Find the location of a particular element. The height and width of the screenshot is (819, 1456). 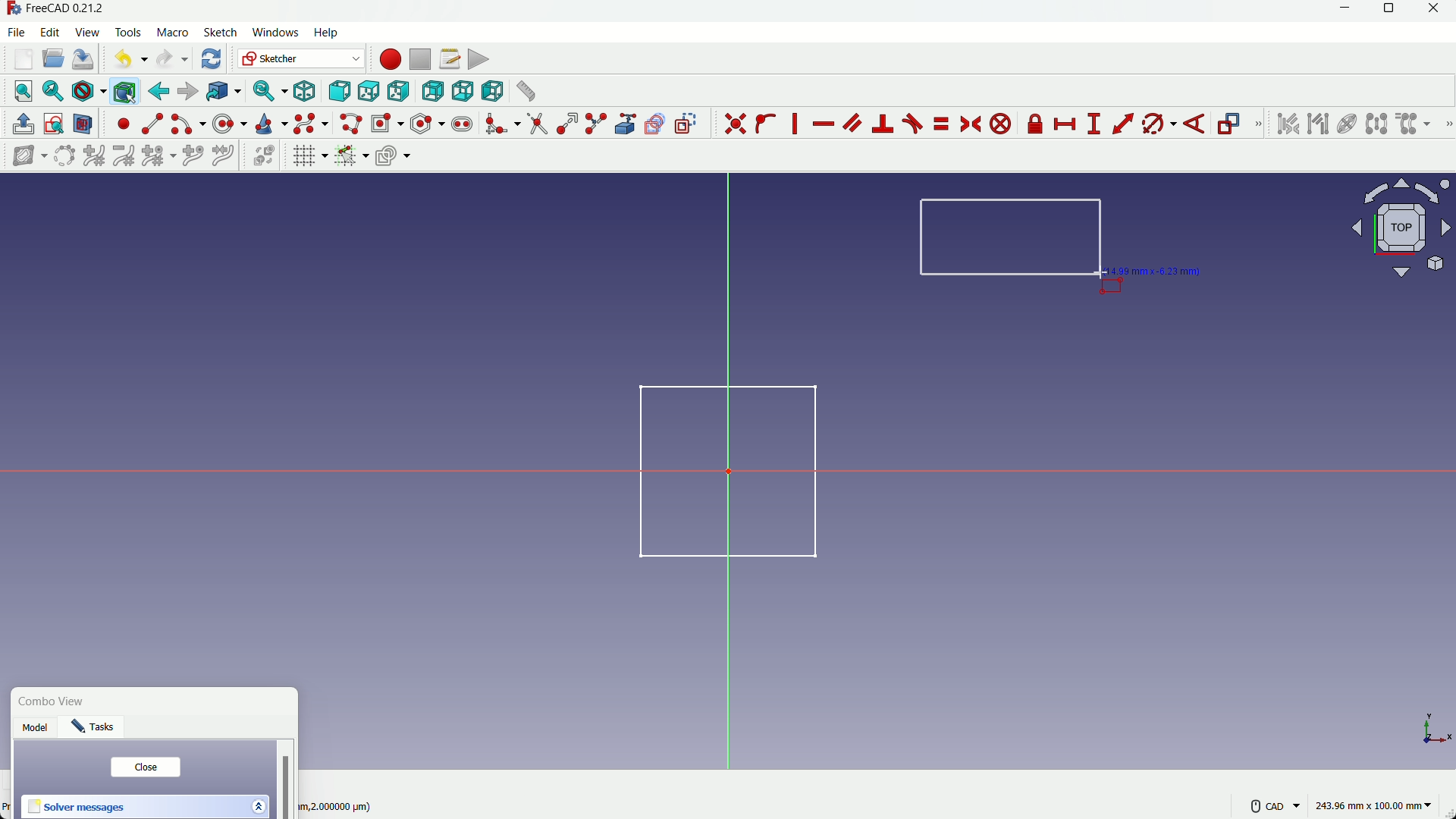

save file is located at coordinates (83, 60).